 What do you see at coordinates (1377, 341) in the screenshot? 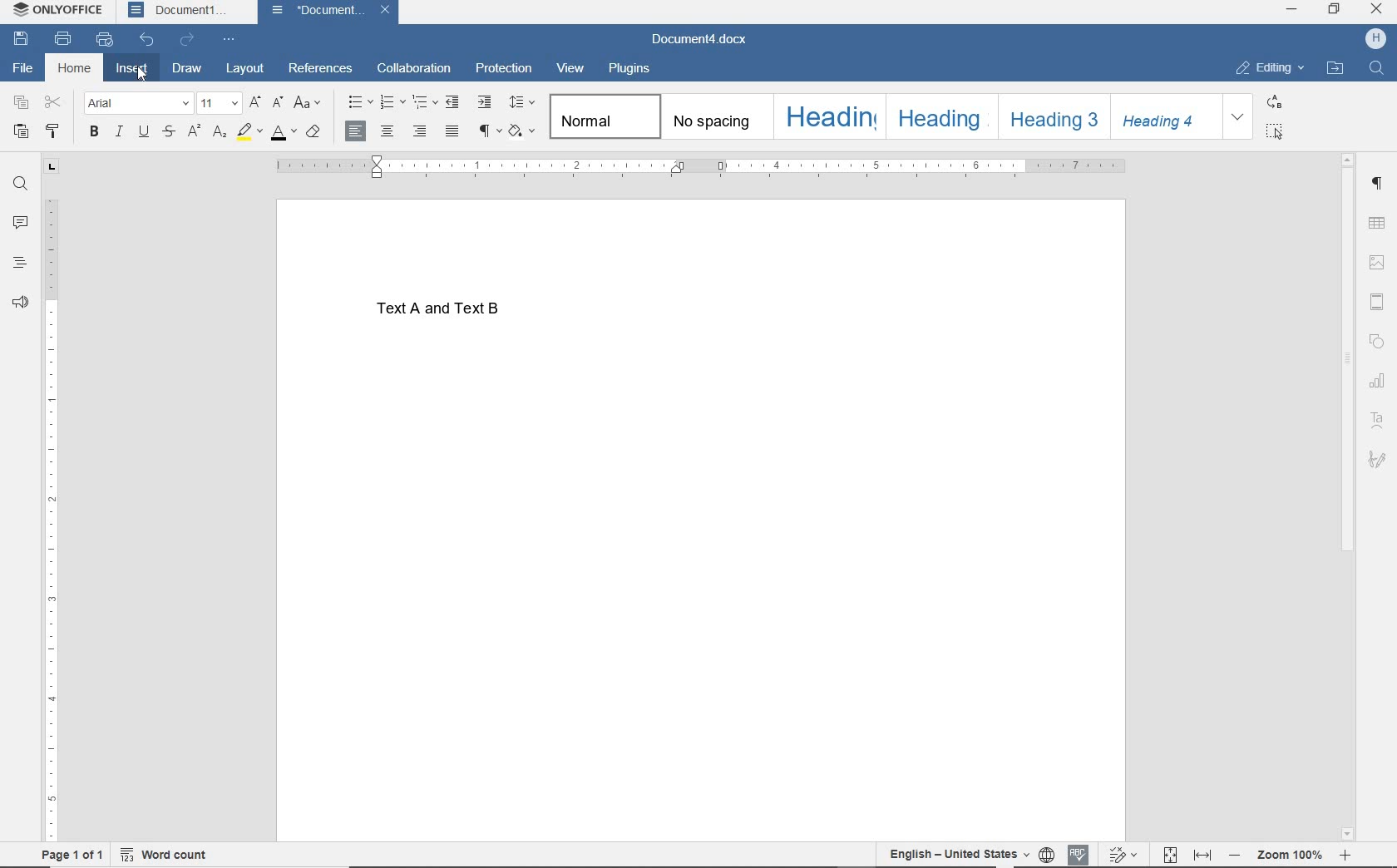
I see `SHAPE` at bounding box center [1377, 341].